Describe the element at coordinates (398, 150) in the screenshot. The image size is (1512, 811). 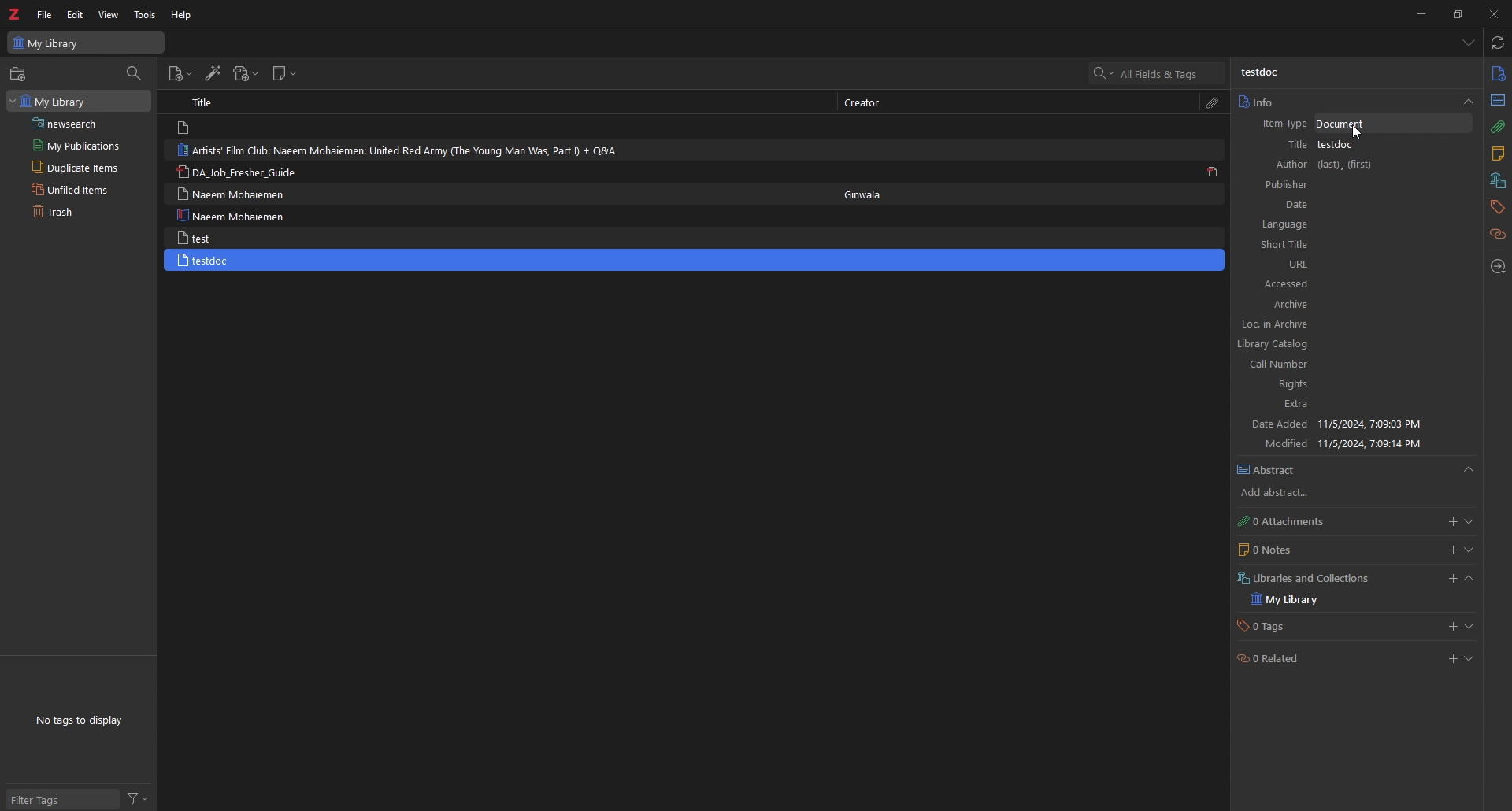
I see `Artists’ Film Club: Naeem Mohaiemen: United Red Army ` at that location.